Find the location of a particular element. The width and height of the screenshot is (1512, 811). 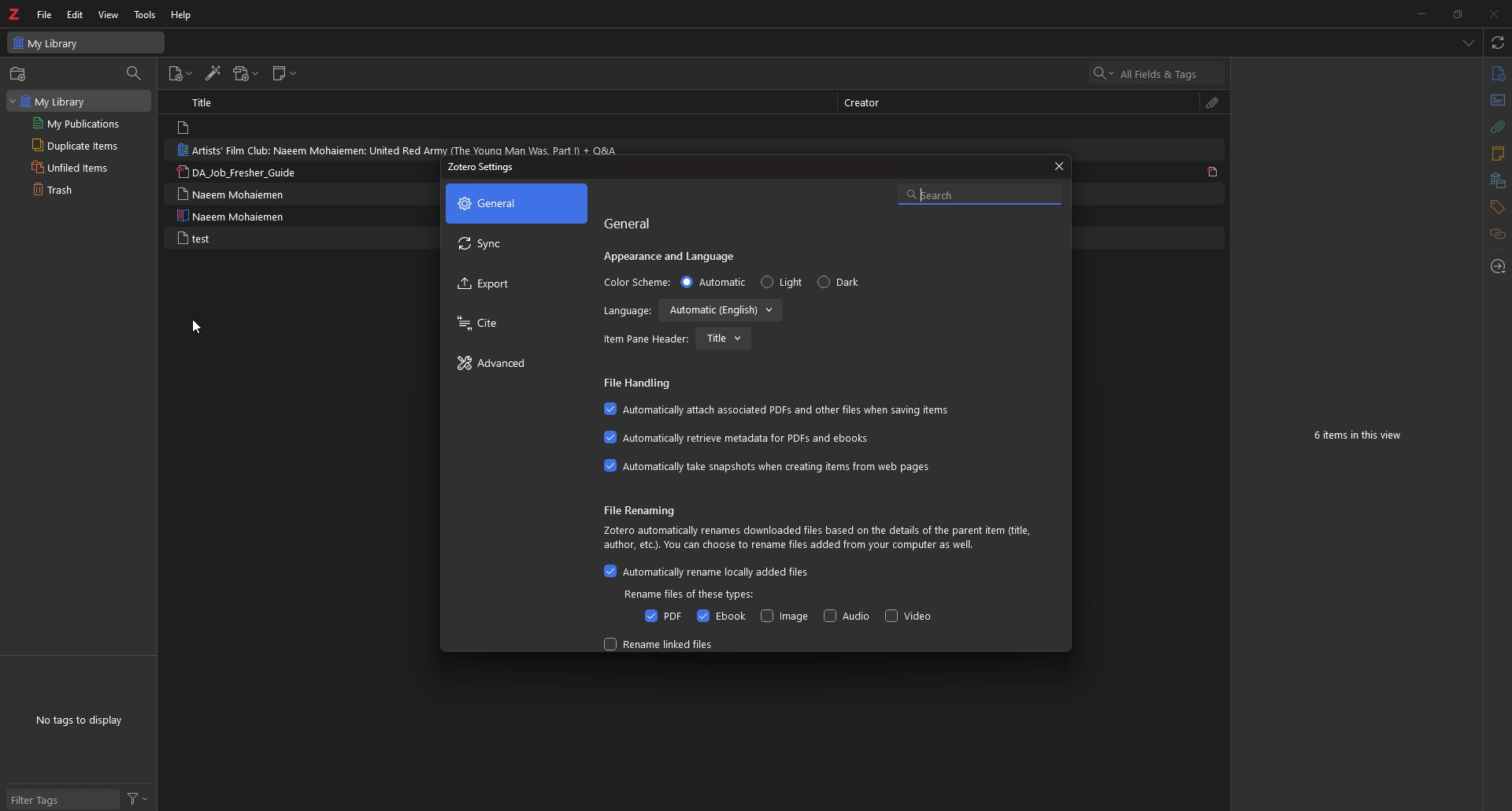

Title is located at coordinates (724, 338).